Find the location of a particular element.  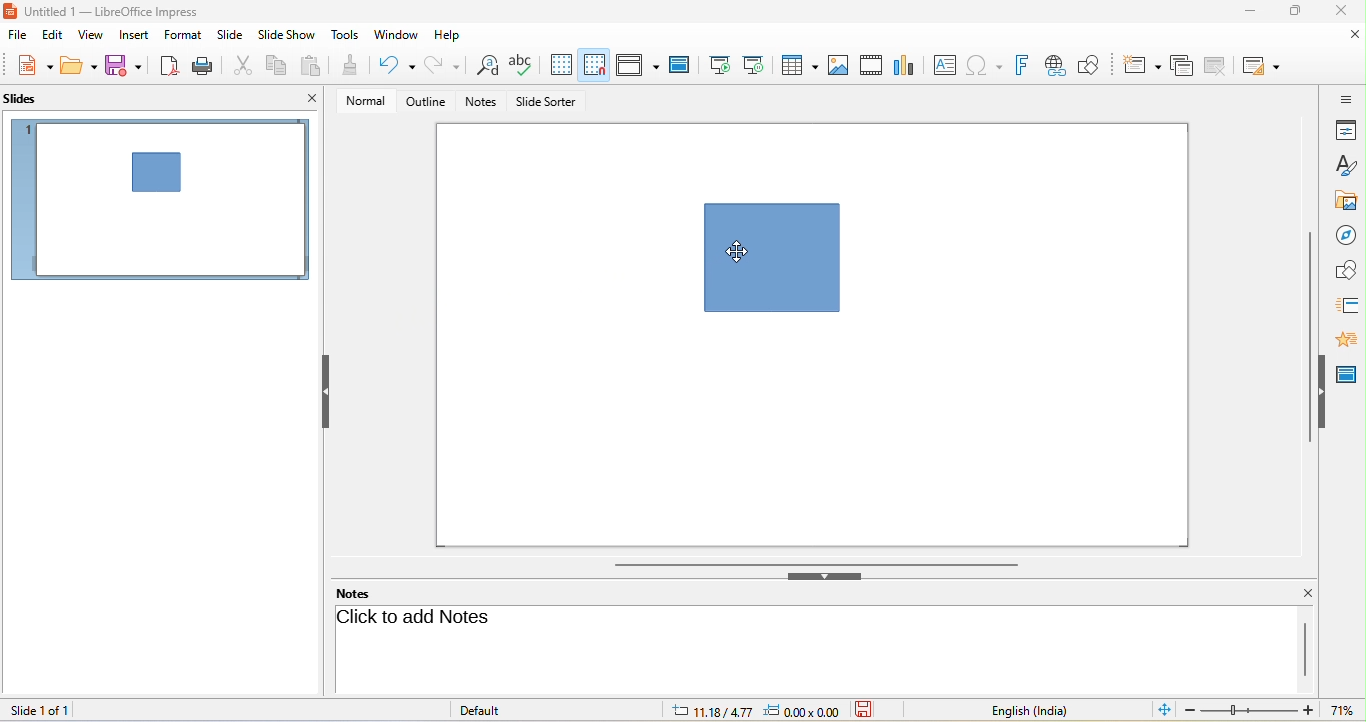

slide is located at coordinates (231, 35).